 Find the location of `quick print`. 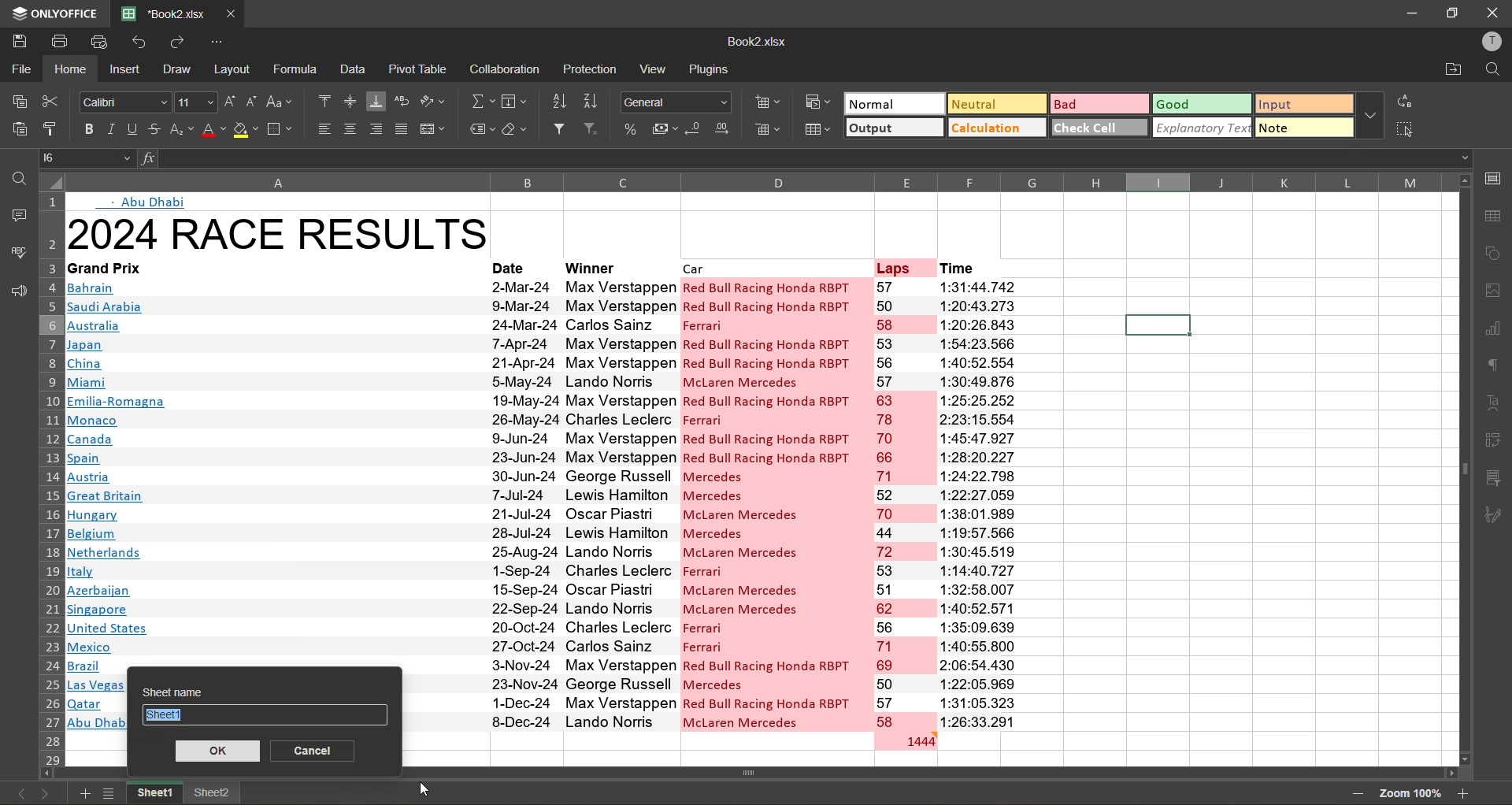

quick print is located at coordinates (104, 43).